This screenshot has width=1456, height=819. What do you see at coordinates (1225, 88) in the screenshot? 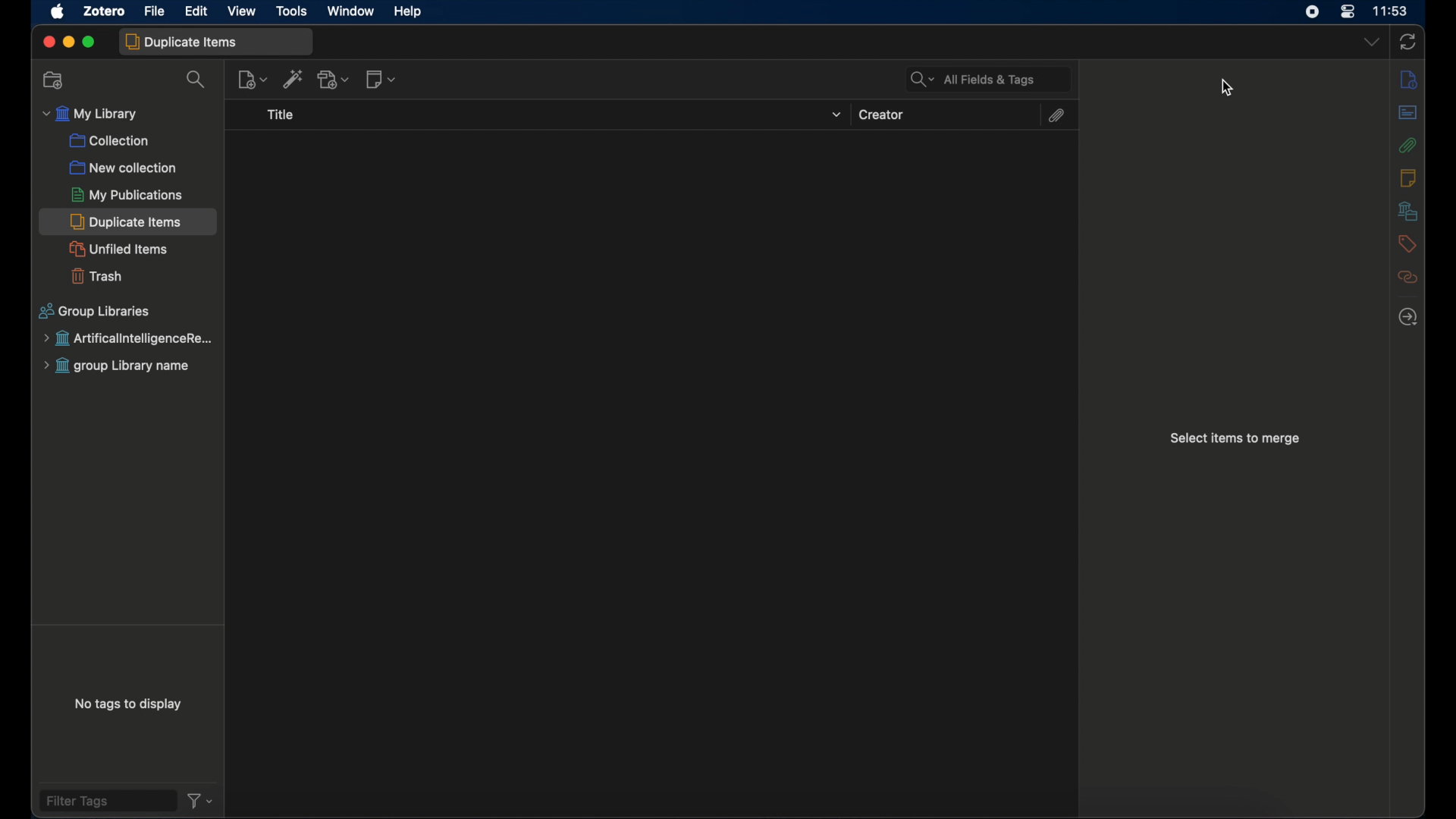
I see `cursor` at bounding box center [1225, 88].